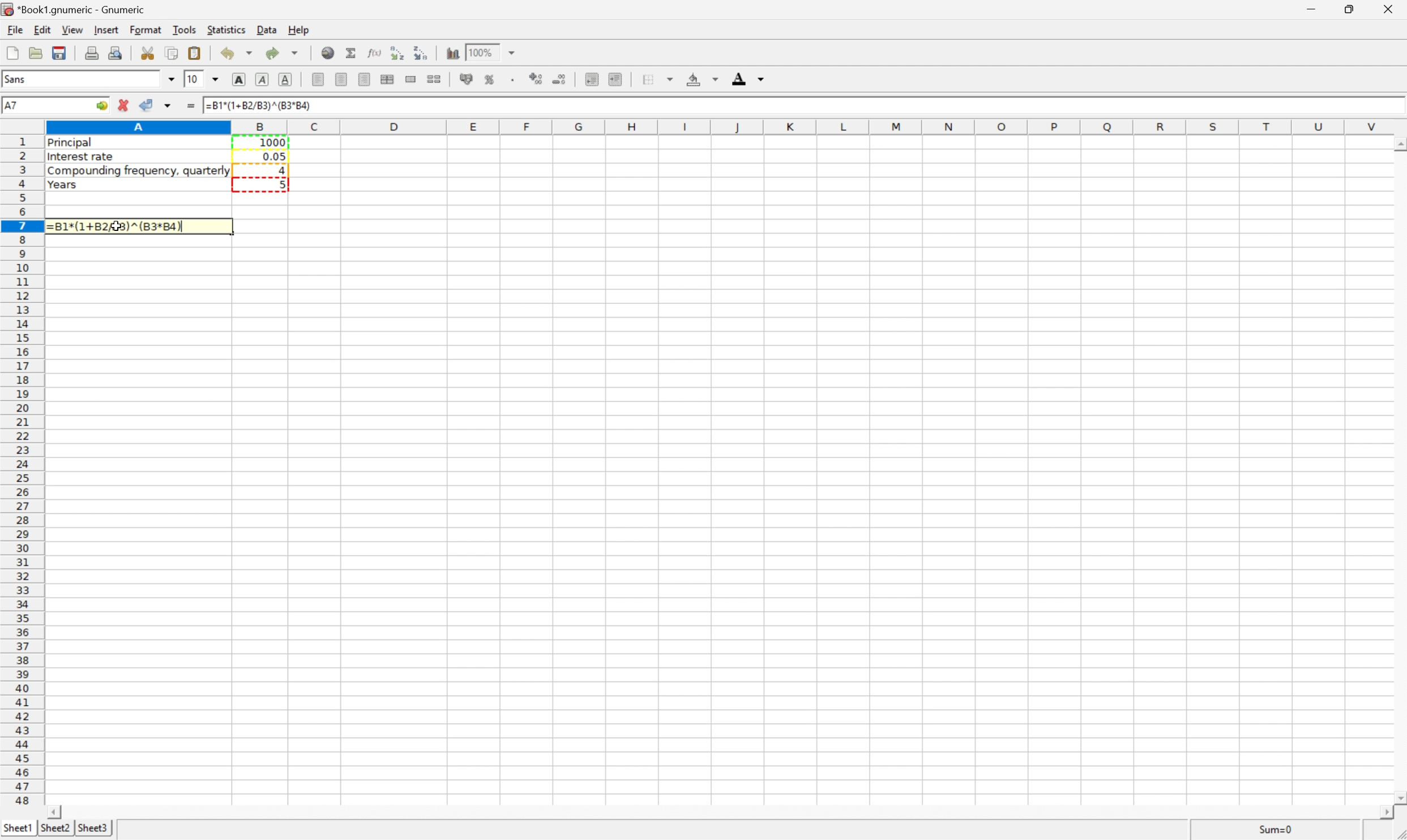 The width and height of the screenshot is (1407, 840). Describe the element at coordinates (1352, 9) in the screenshot. I see `restore down` at that location.